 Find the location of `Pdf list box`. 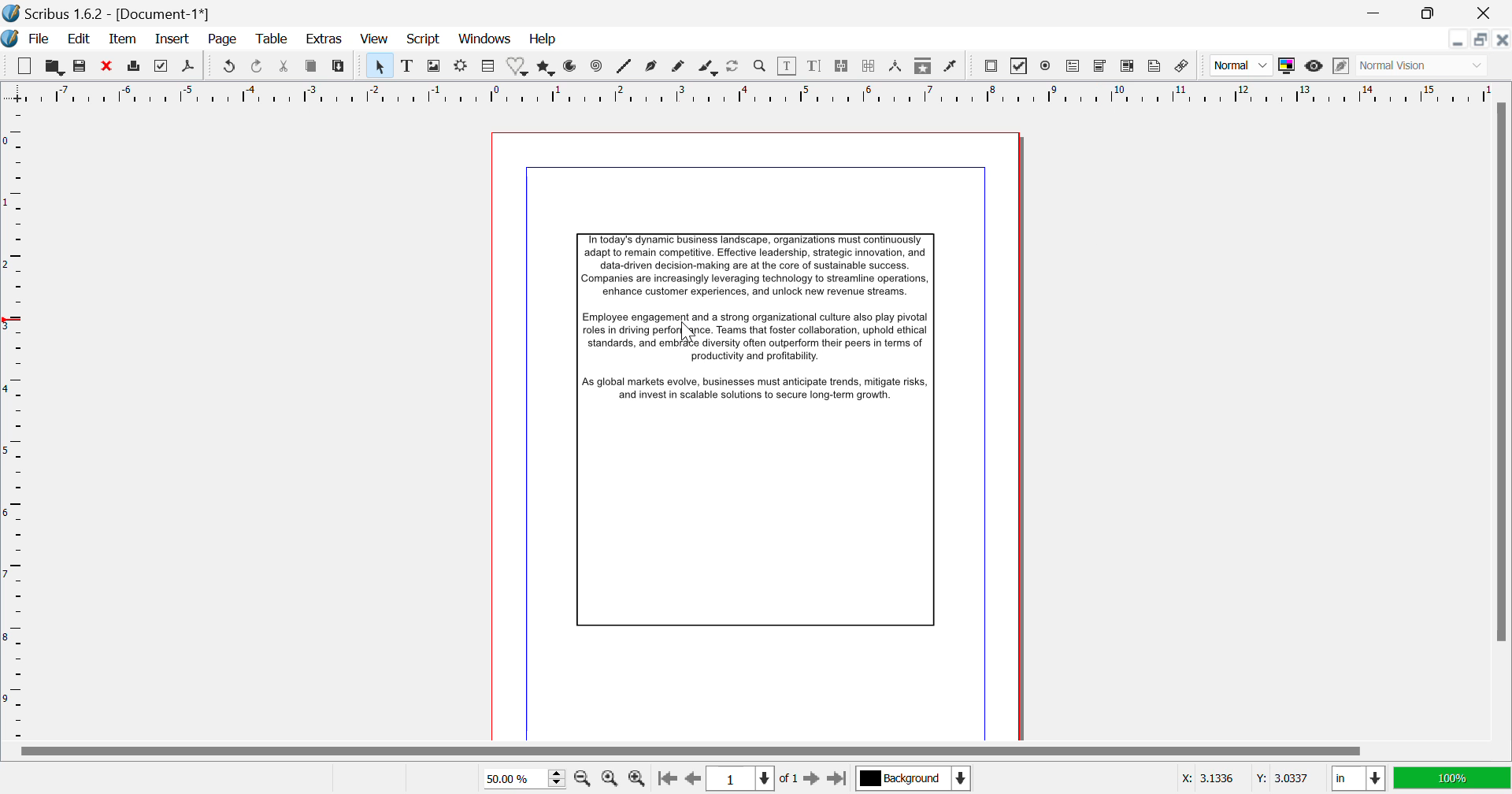

Pdf list box is located at coordinates (1129, 67).